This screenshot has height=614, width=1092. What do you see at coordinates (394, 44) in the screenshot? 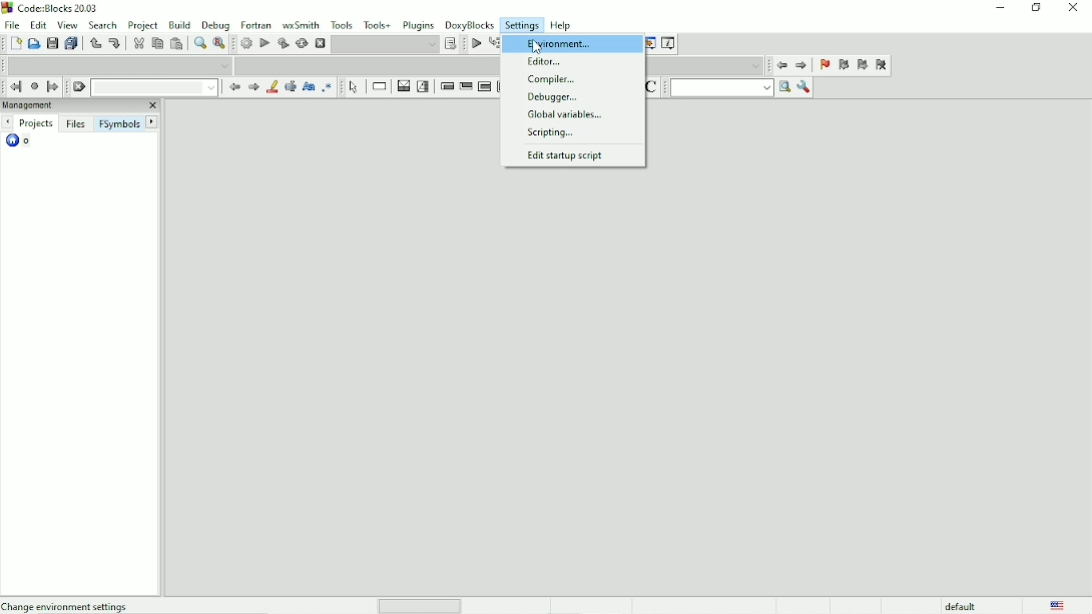
I see `Show the select target dialog` at bounding box center [394, 44].